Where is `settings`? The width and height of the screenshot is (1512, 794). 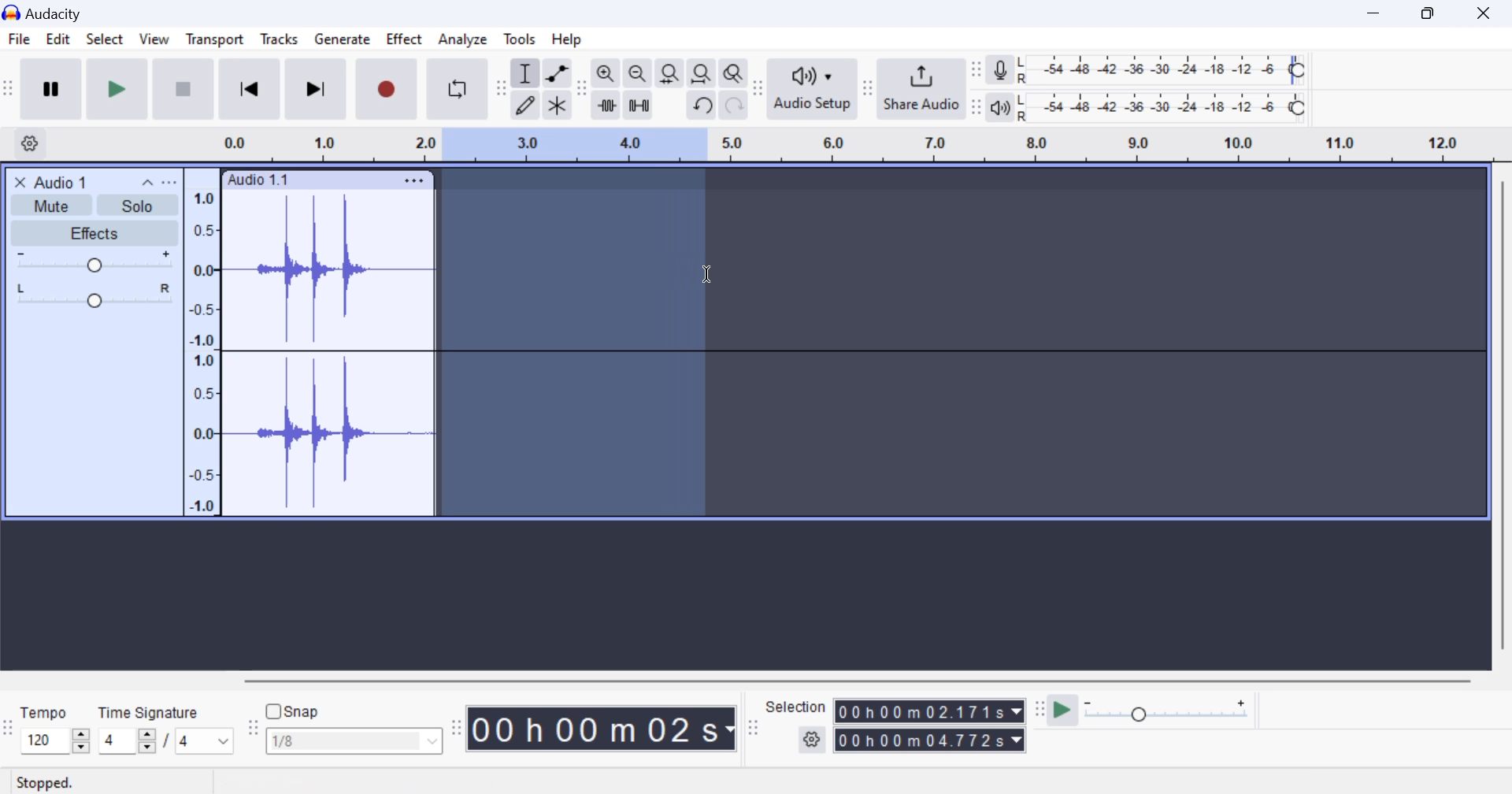 settings is located at coordinates (813, 740).